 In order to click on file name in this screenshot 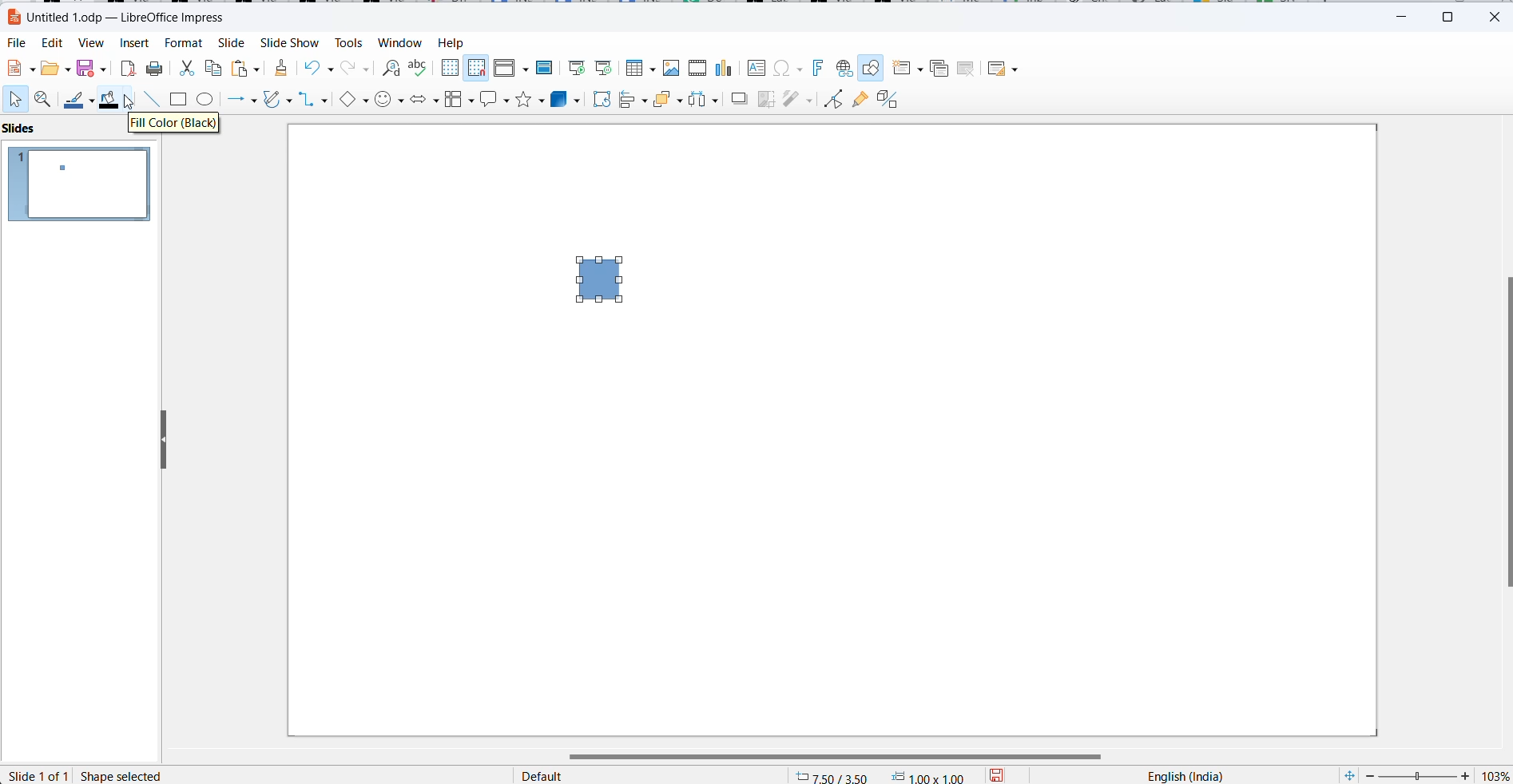, I will do `click(117, 16)`.